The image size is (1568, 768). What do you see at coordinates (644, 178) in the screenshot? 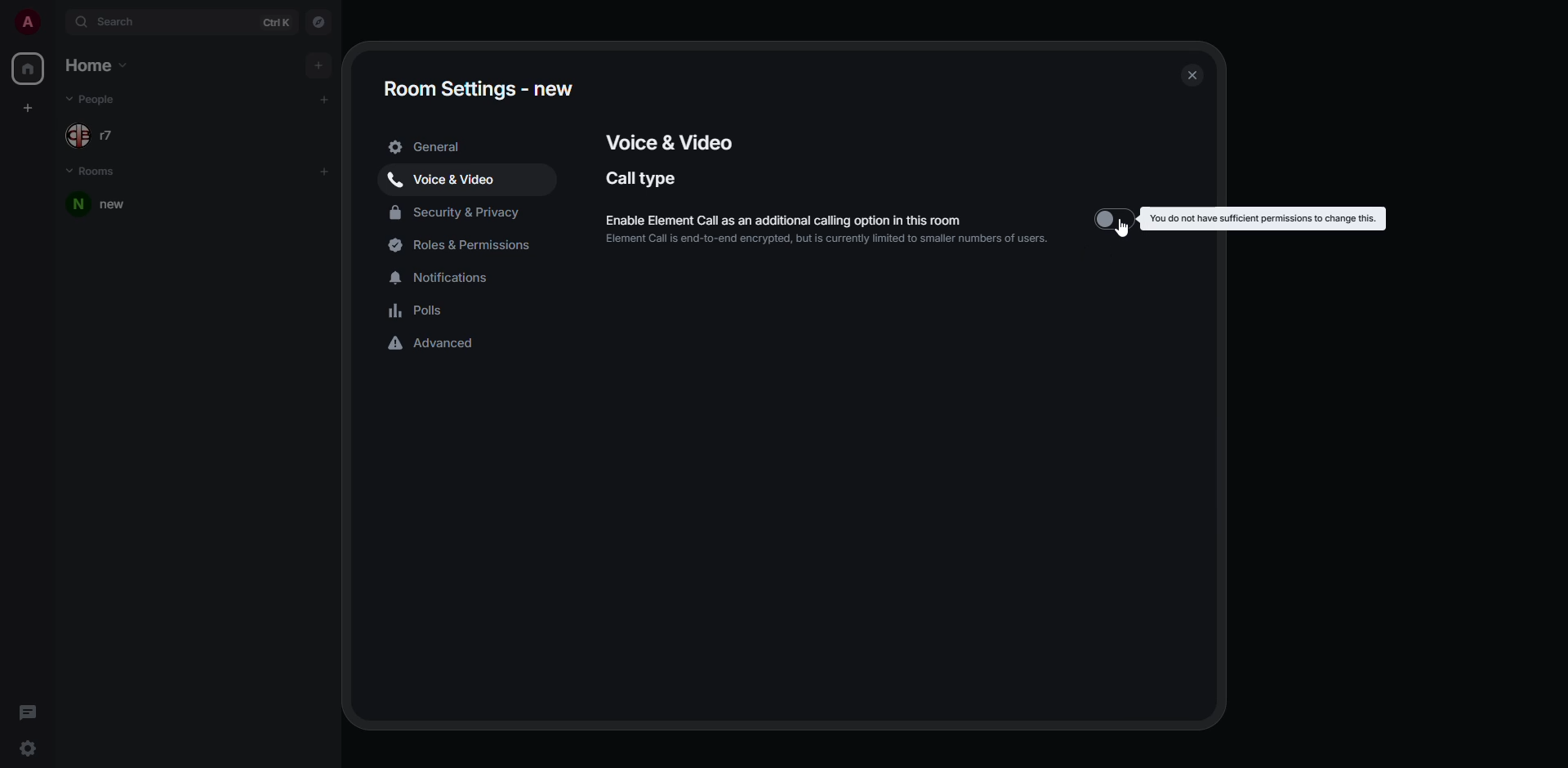
I see `call type` at bounding box center [644, 178].